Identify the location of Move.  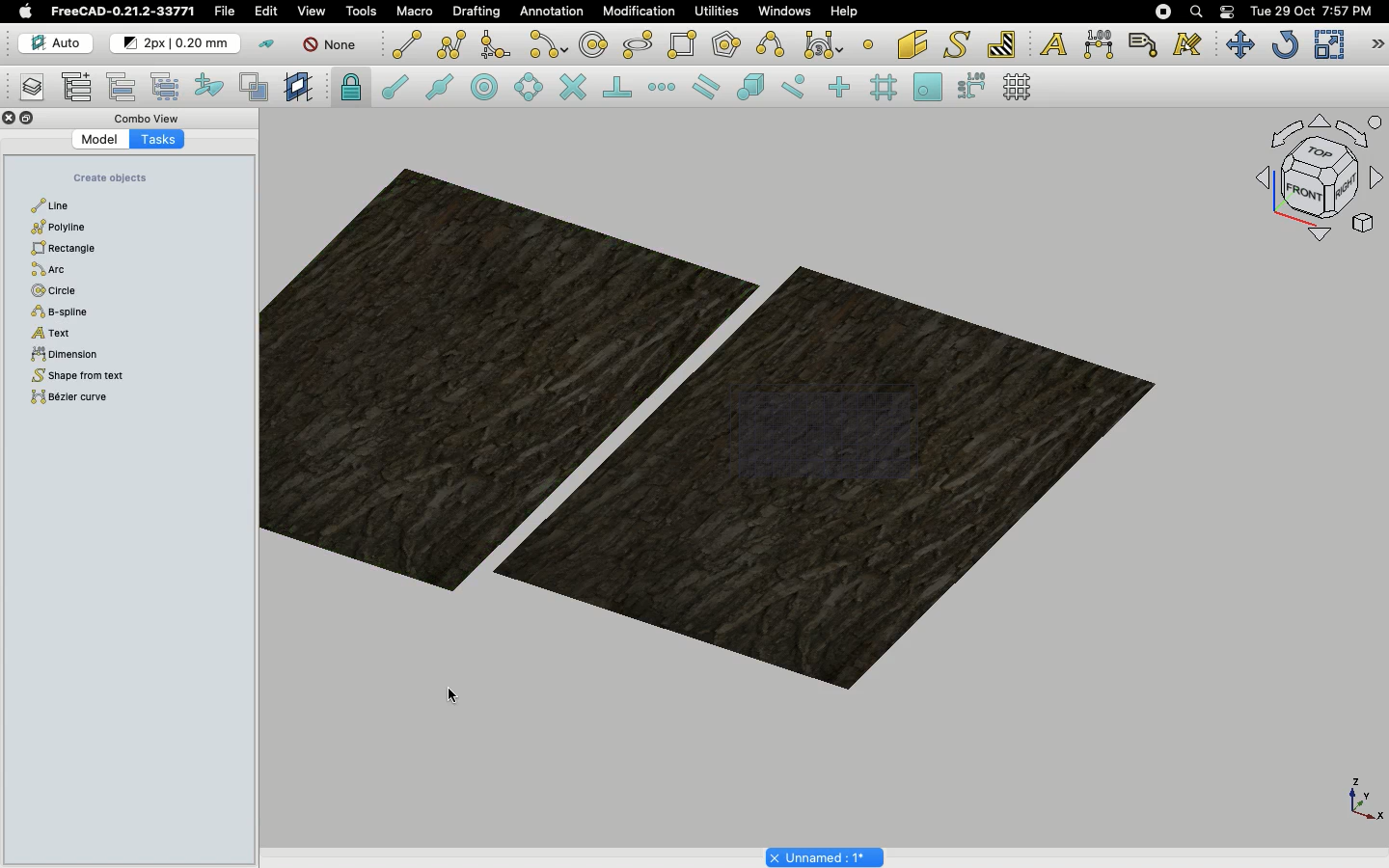
(1239, 44).